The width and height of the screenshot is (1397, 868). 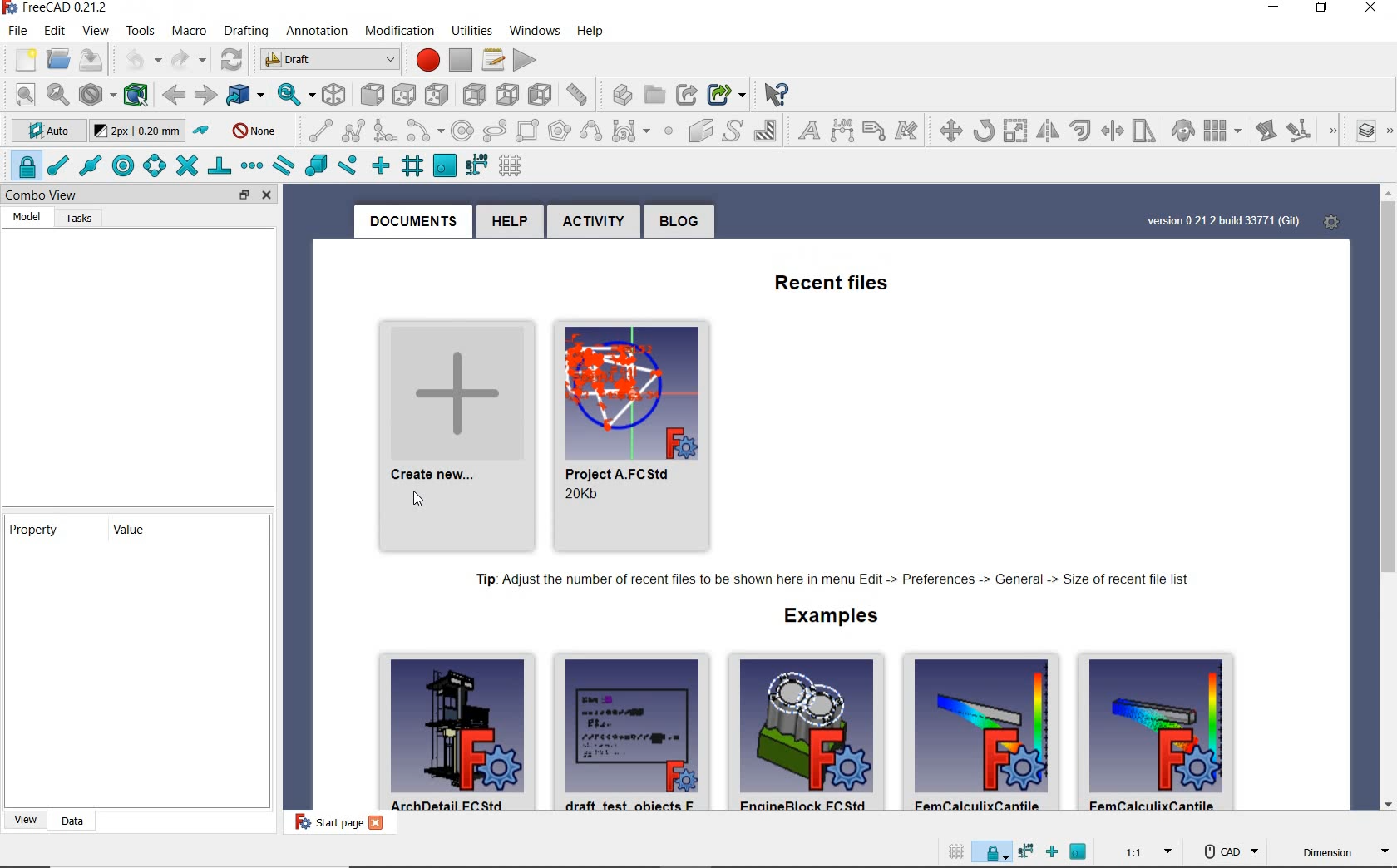 What do you see at coordinates (699, 131) in the screenshot?
I see `facebinder` at bounding box center [699, 131].